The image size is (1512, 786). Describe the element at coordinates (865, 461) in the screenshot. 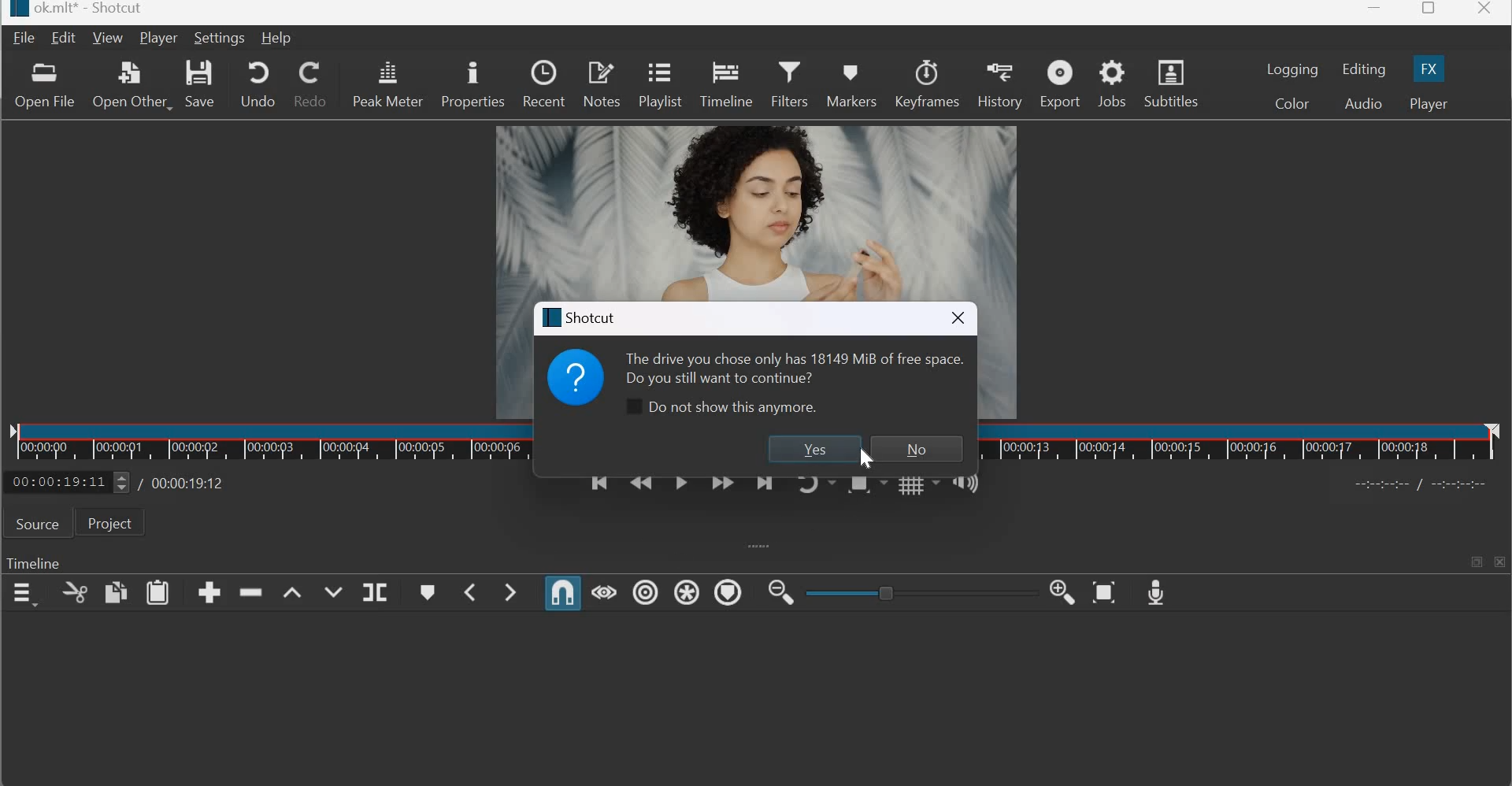

I see `cursor` at that location.